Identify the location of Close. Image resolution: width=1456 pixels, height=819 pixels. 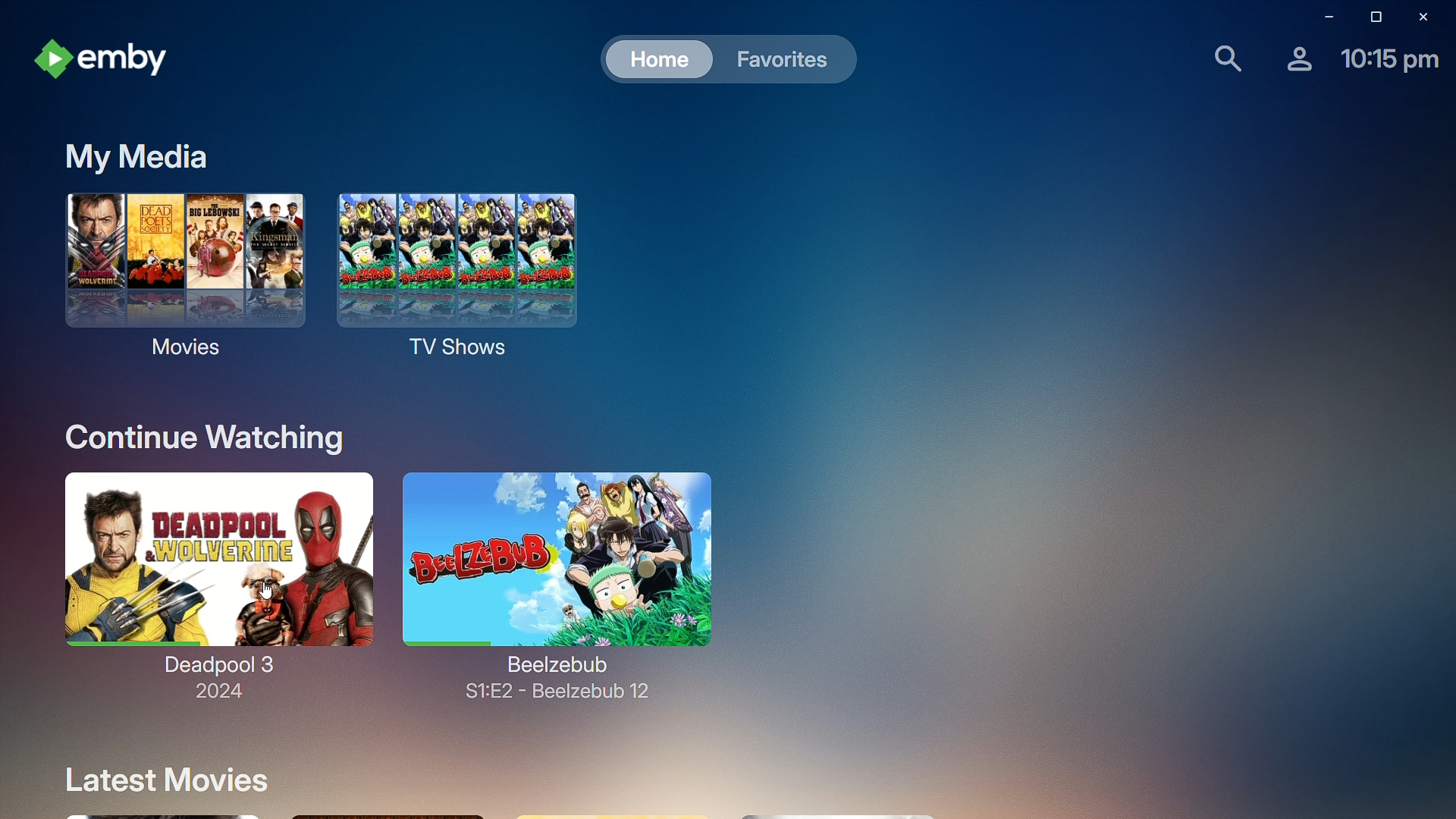
(1426, 17).